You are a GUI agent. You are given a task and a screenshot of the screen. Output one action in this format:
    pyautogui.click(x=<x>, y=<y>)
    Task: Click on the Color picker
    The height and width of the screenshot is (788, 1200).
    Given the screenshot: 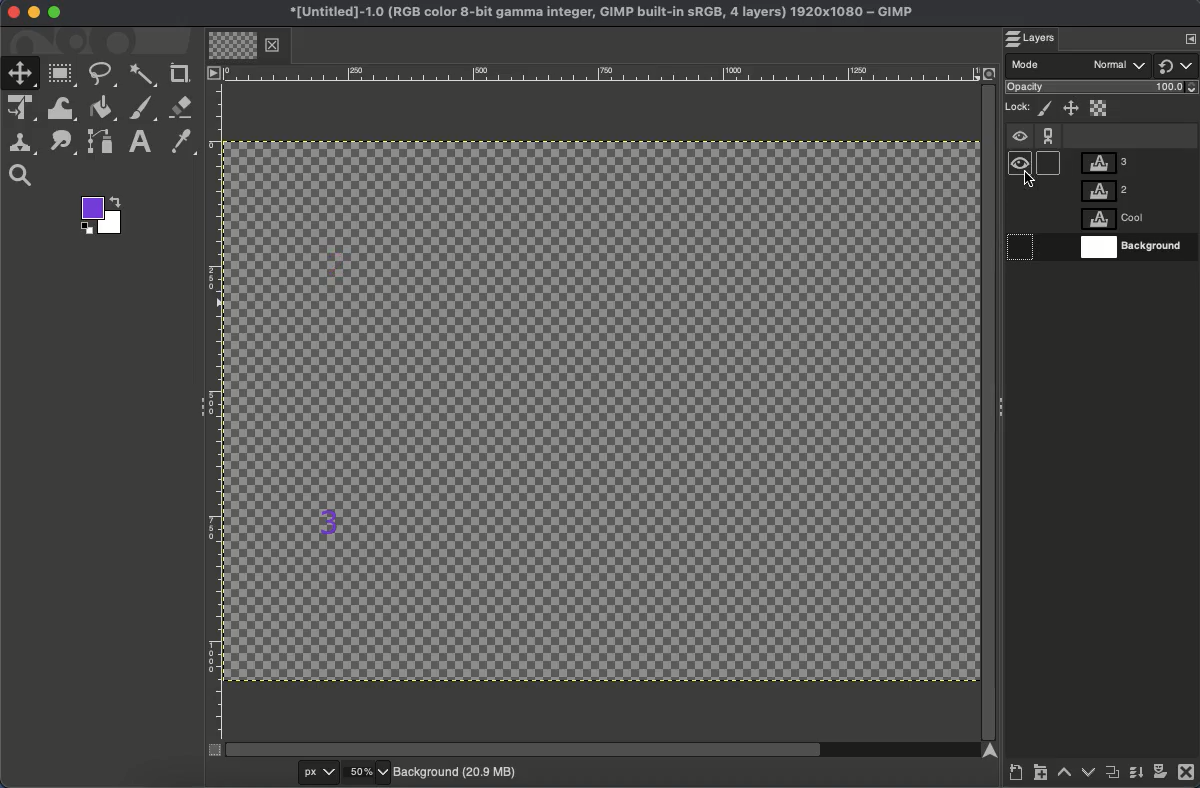 What is the action you would take?
    pyautogui.click(x=184, y=143)
    